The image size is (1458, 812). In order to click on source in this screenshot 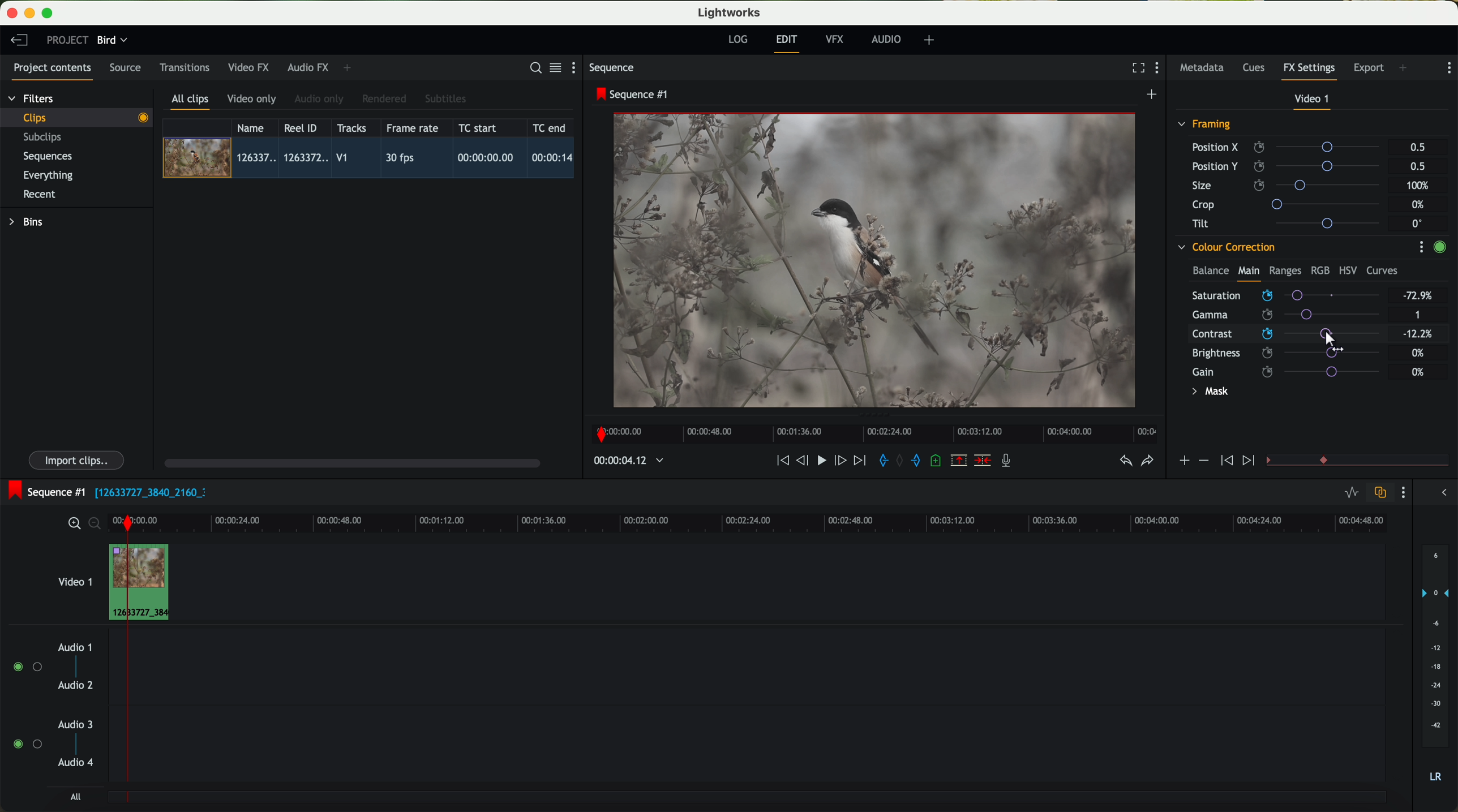, I will do `click(125, 68)`.